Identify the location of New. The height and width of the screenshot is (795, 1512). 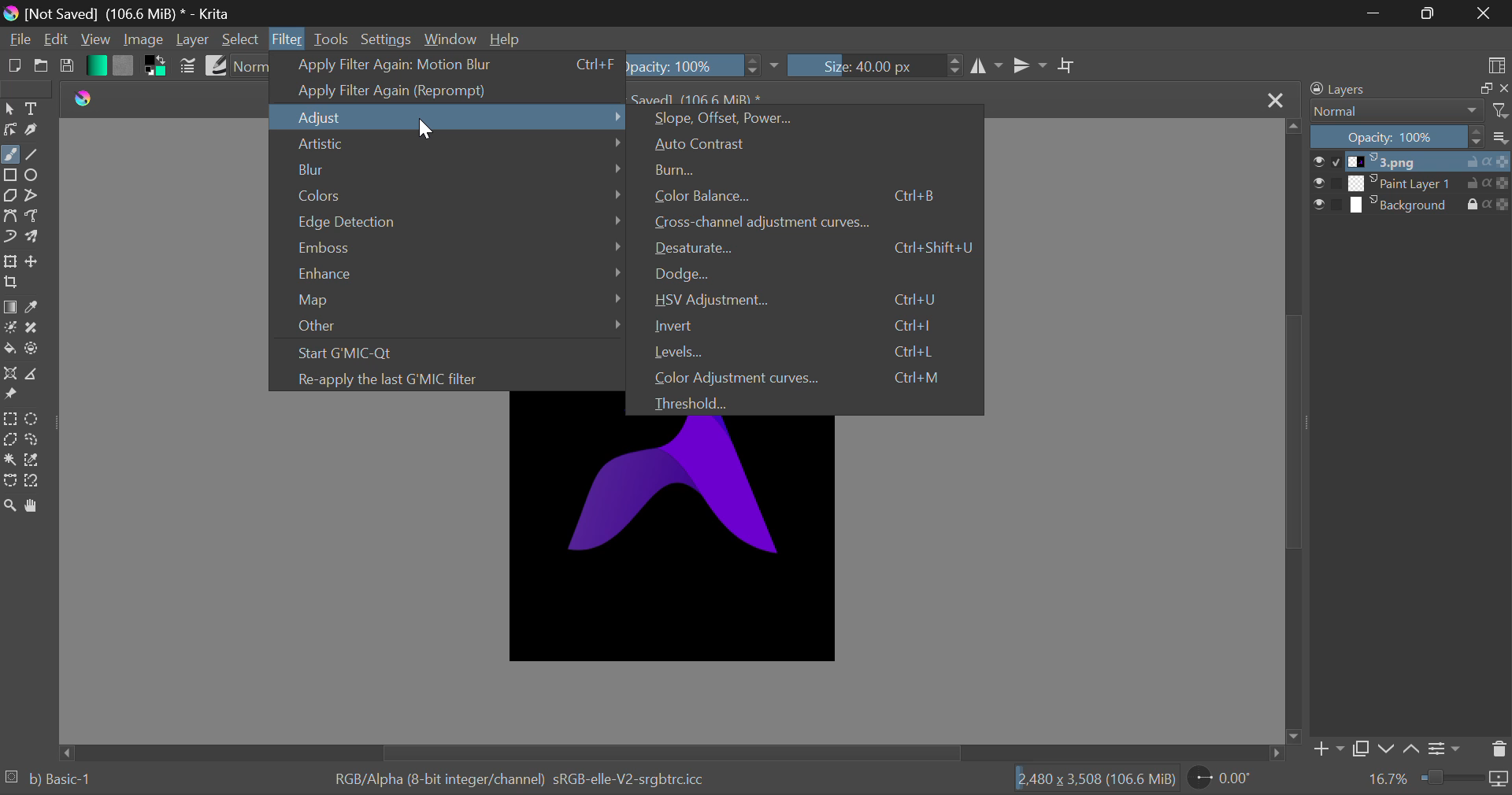
(14, 68).